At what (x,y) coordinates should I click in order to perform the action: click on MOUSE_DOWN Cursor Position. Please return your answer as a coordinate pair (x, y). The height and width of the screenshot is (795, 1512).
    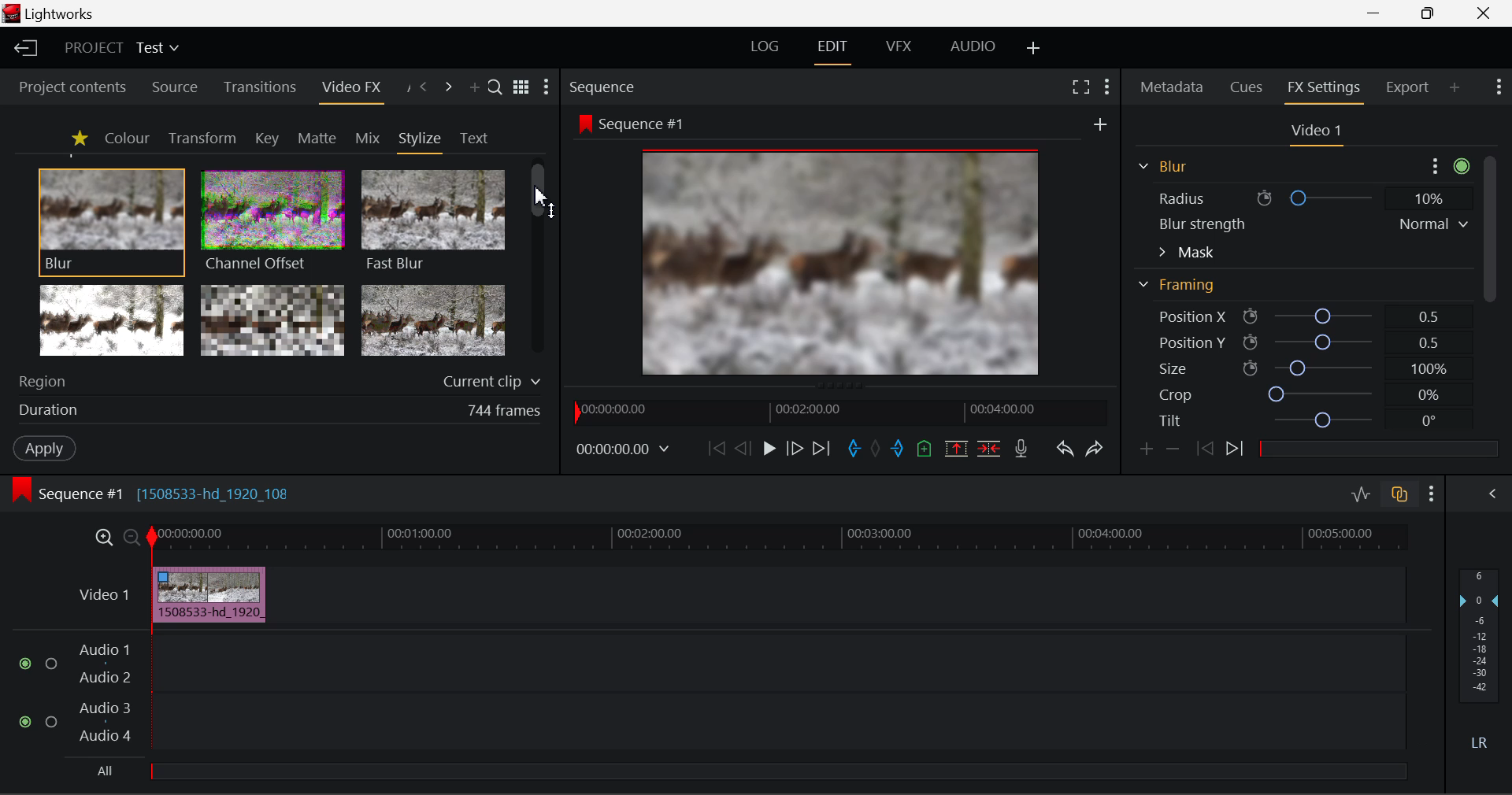
    Looking at the image, I should click on (543, 195).